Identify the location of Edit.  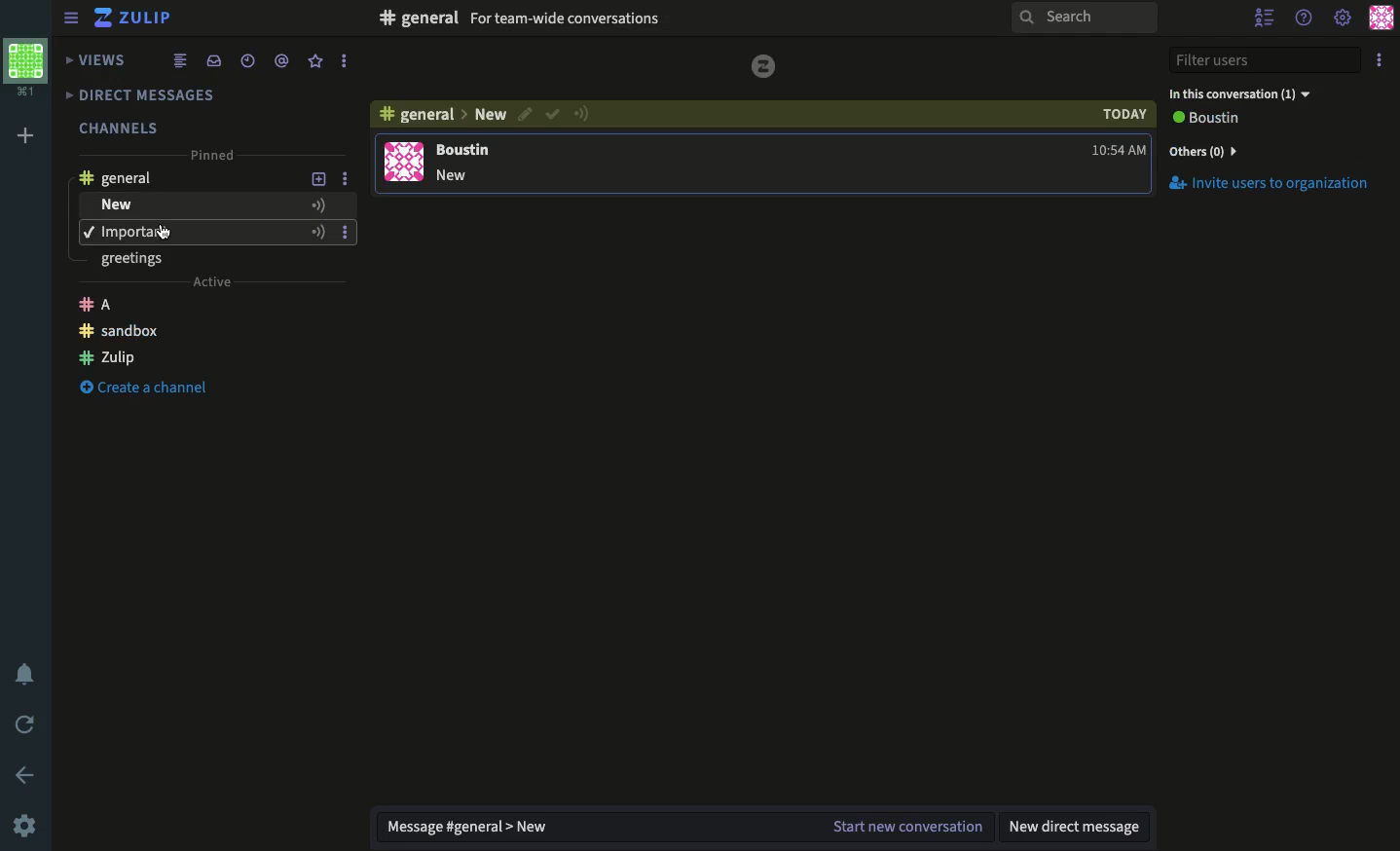
(525, 116).